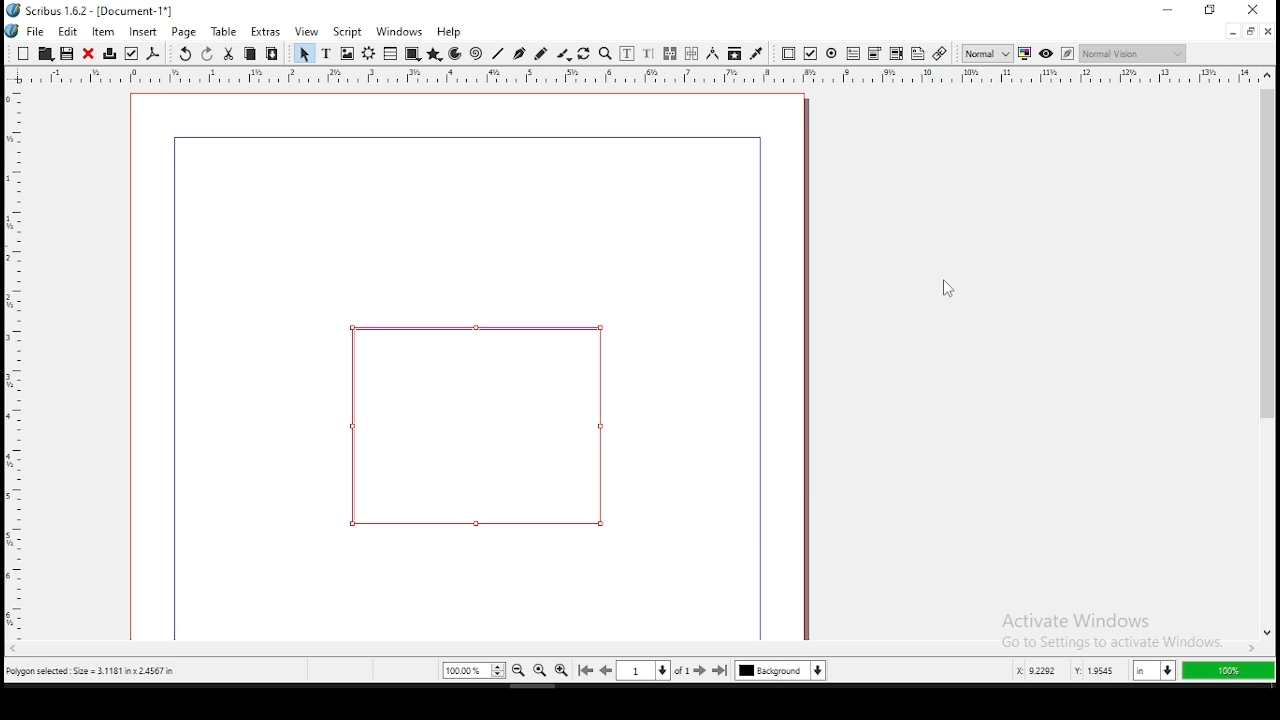 Image resolution: width=1280 pixels, height=720 pixels. Describe the element at coordinates (918, 53) in the screenshot. I see `text annotation` at that location.